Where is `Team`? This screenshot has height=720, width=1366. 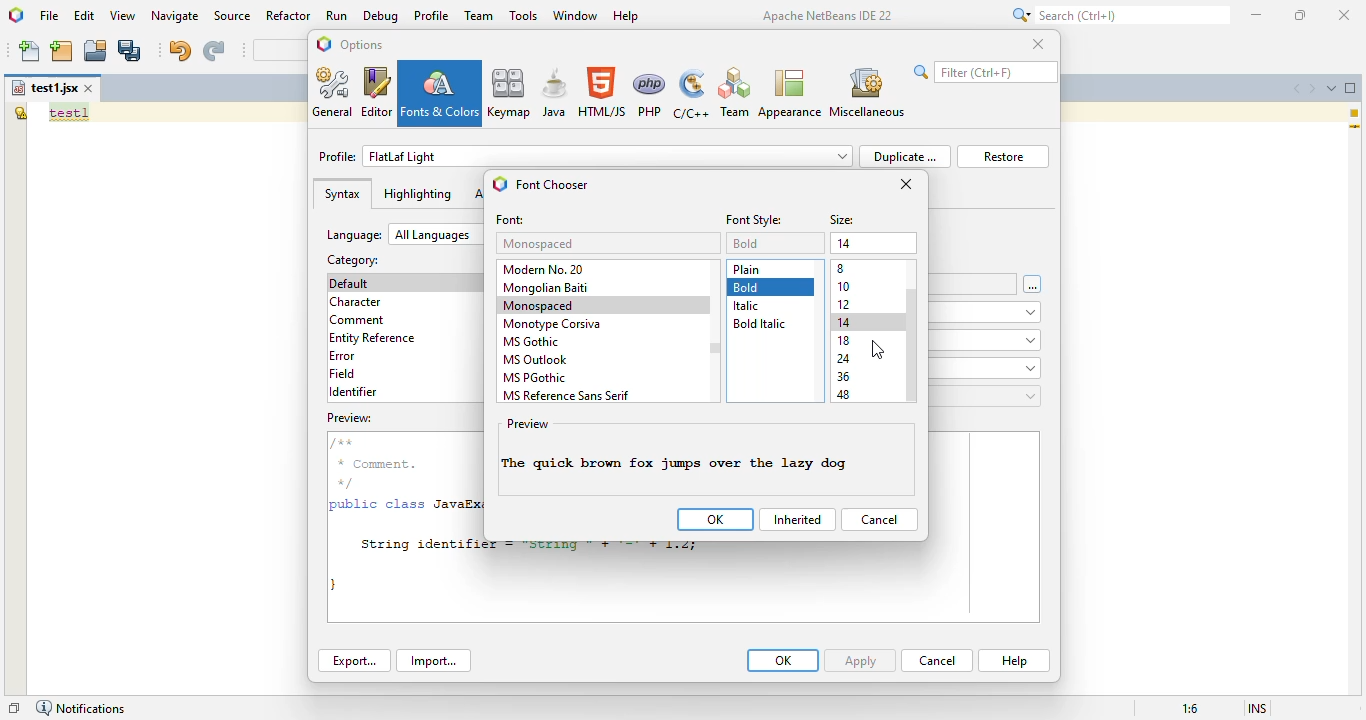
Team is located at coordinates (734, 93).